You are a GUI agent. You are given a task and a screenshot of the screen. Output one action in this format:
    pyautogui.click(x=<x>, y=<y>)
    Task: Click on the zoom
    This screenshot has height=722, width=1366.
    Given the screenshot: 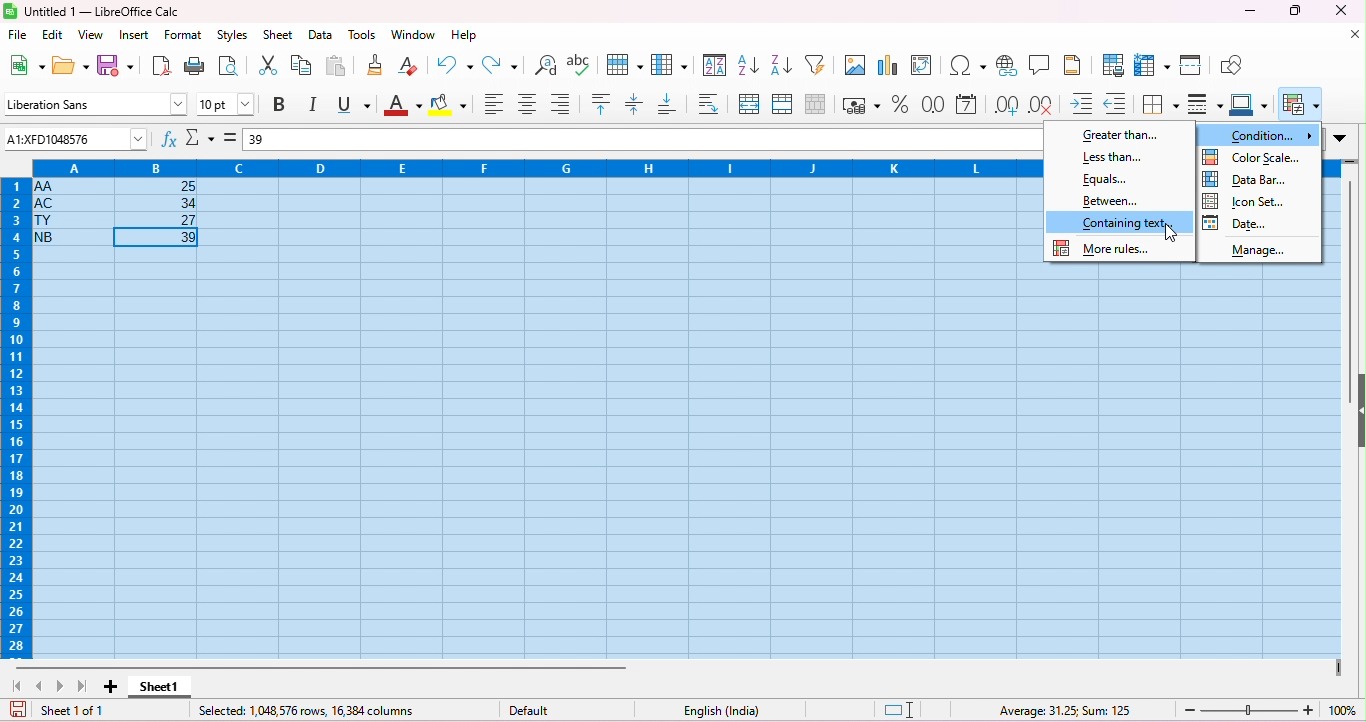 What is the action you would take?
    pyautogui.click(x=1272, y=709)
    